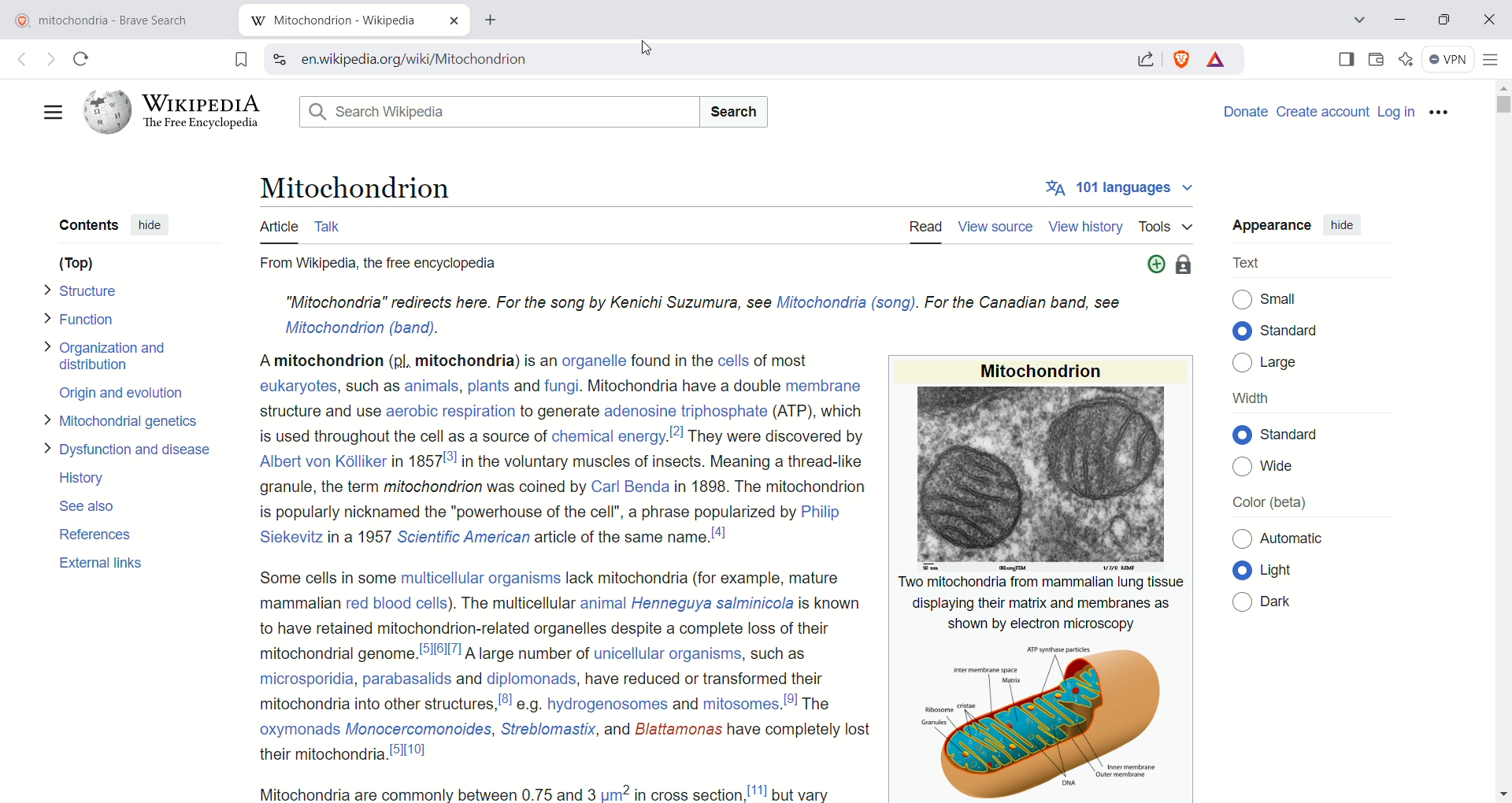 Image resolution: width=1512 pixels, height=803 pixels. Describe the element at coordinates (96, 506) in the screenshot. I see `See also` at that location.